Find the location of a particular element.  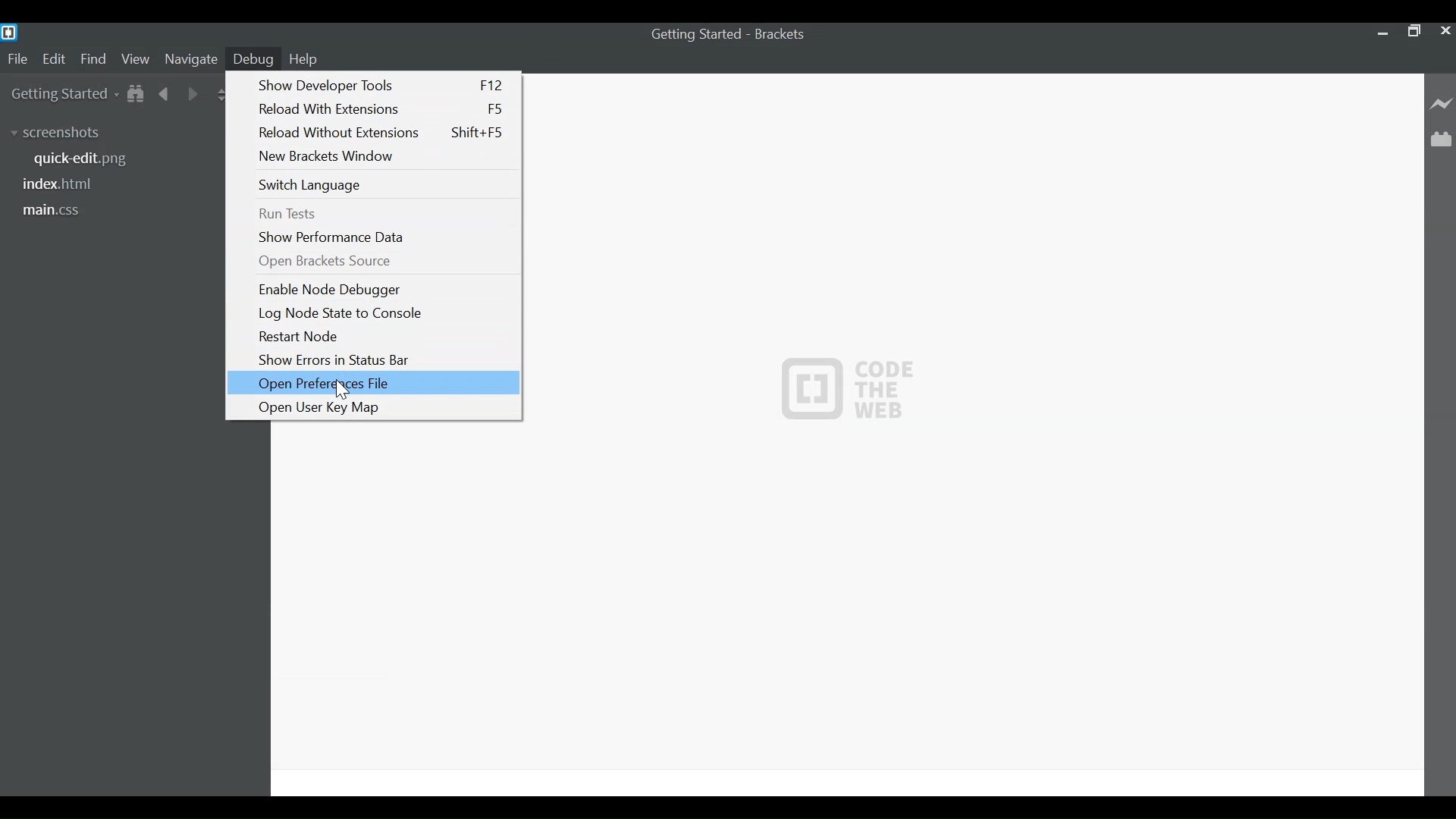

Find is located at coordinates (93, 60).